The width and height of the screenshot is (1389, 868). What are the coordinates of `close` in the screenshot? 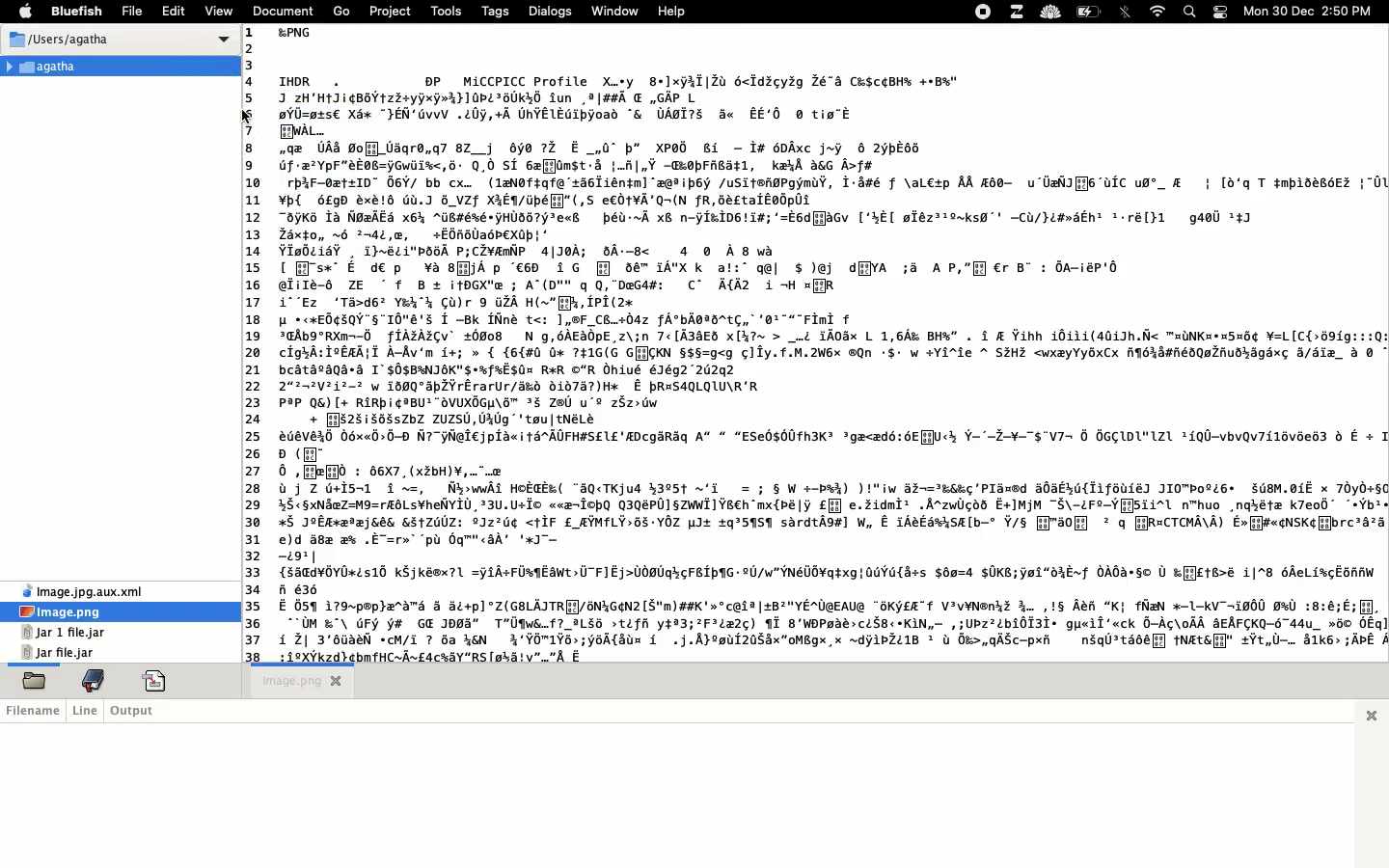 It's located at (337, 681).